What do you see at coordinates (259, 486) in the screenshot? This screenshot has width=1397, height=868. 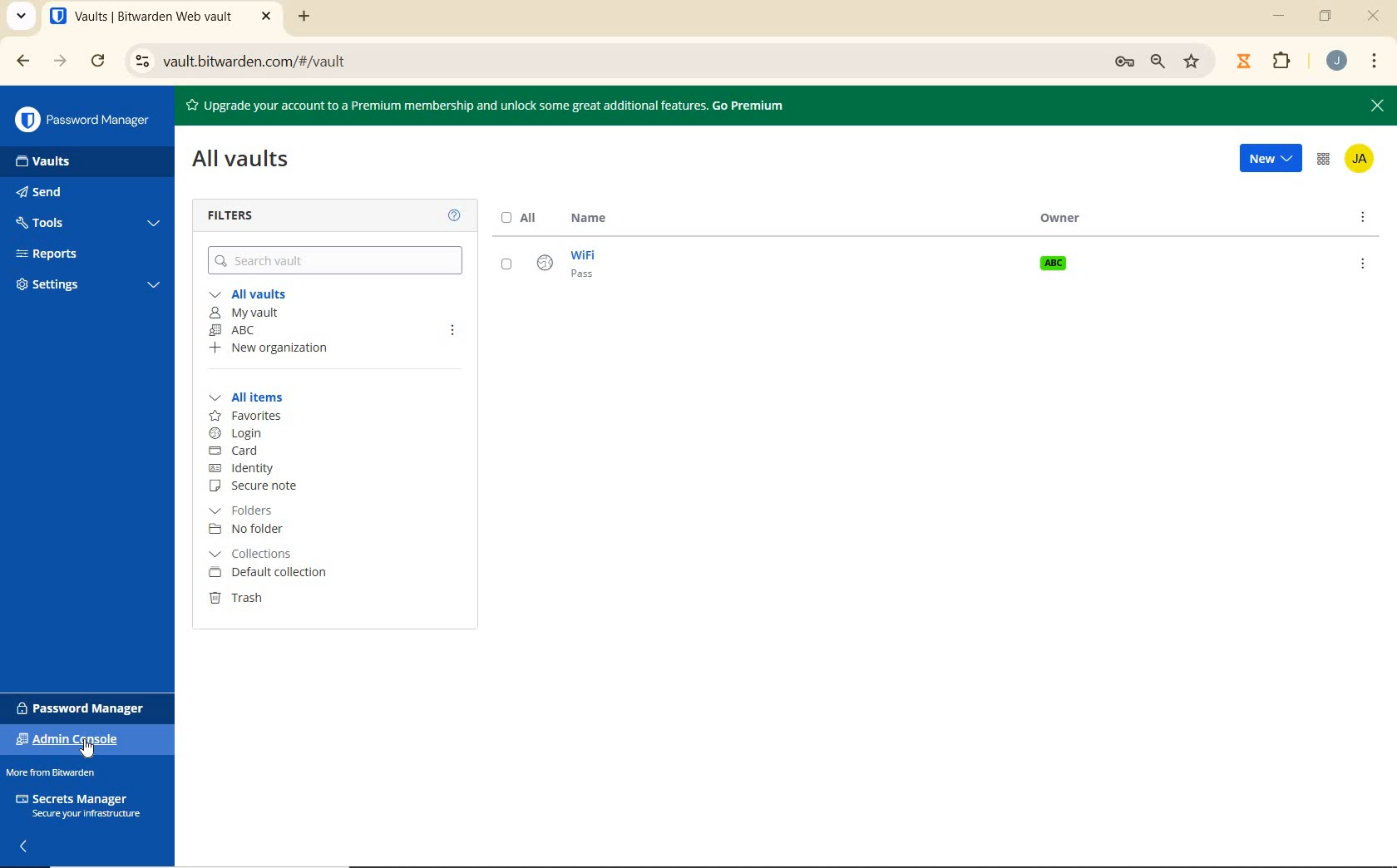 I see `SECURE NOTE` at bounding box center [259, 486].